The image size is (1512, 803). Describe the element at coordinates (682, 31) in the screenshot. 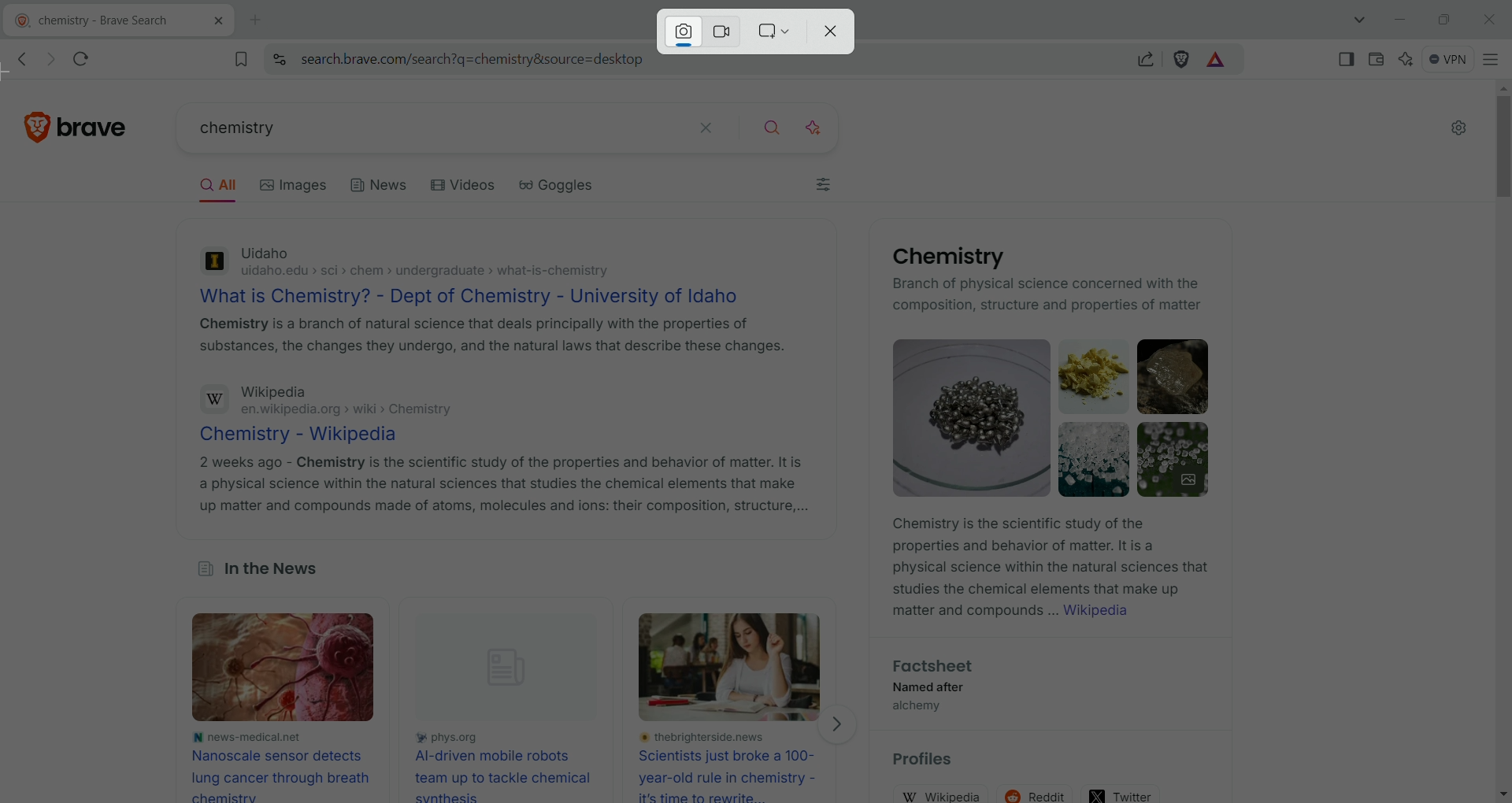

I see `snip` at that location.